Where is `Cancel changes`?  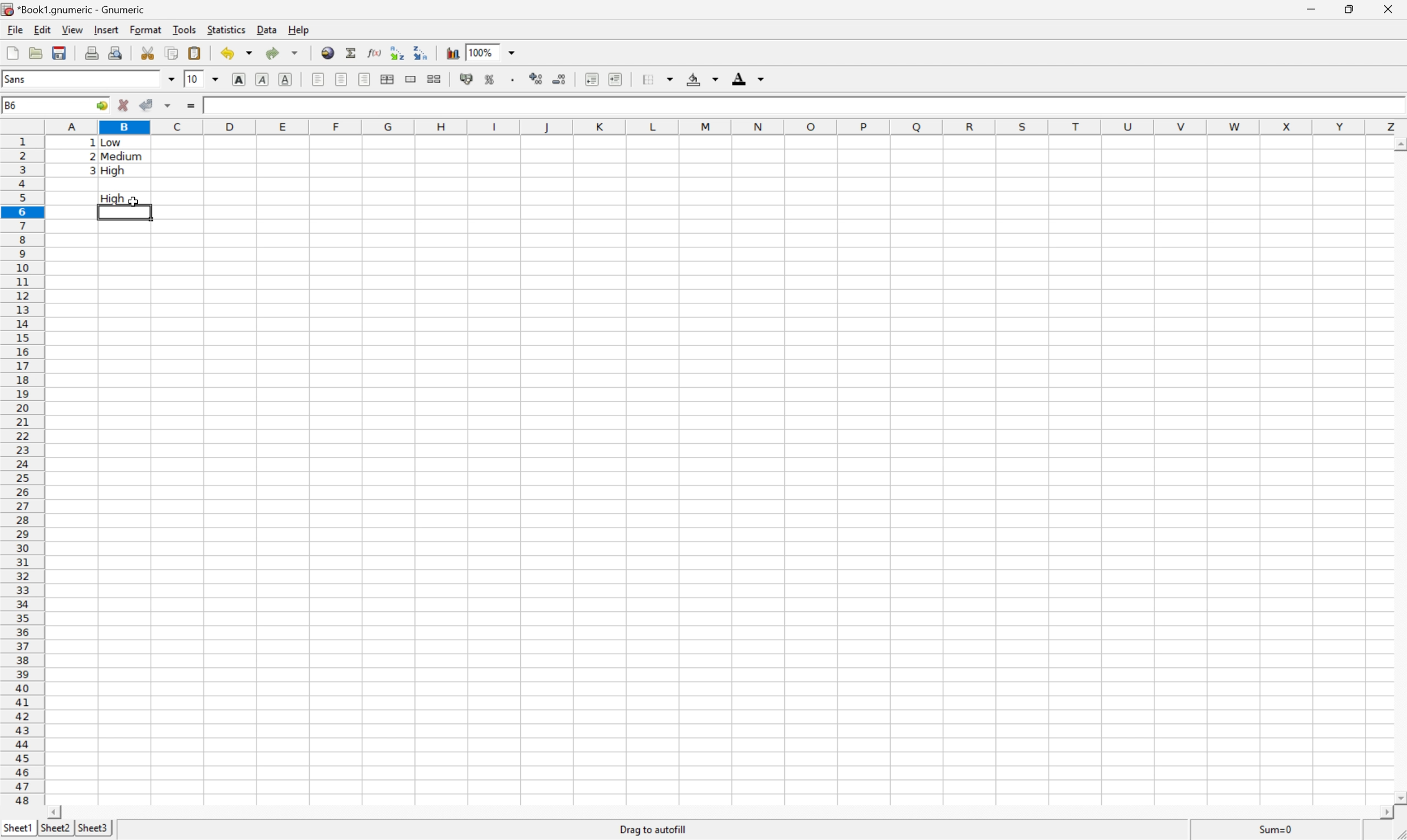 Cancel changes is located at coordinates (123, 104).